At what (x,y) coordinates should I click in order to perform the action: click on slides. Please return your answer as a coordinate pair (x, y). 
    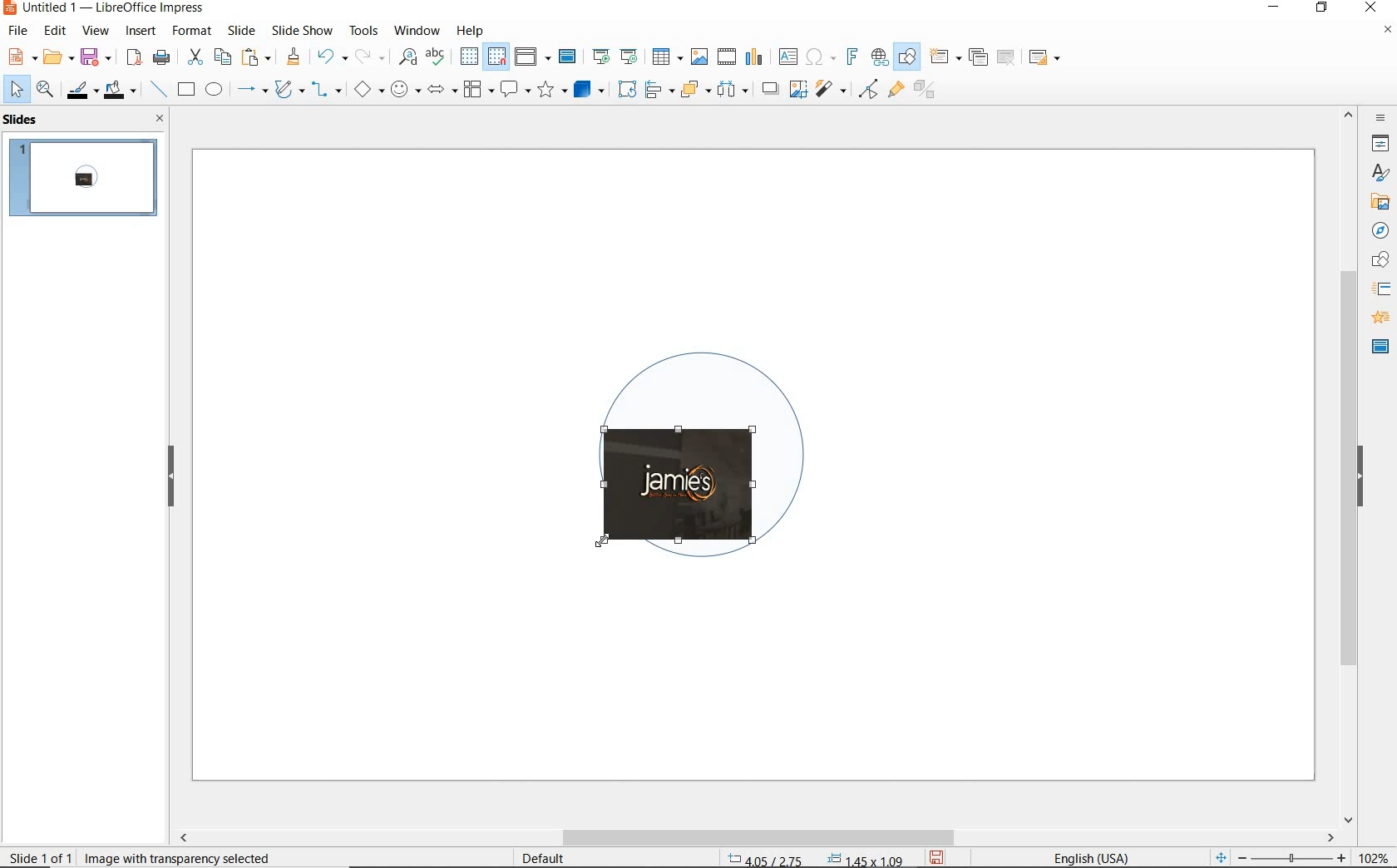
    Looking at the image, I should click on (24, 120).